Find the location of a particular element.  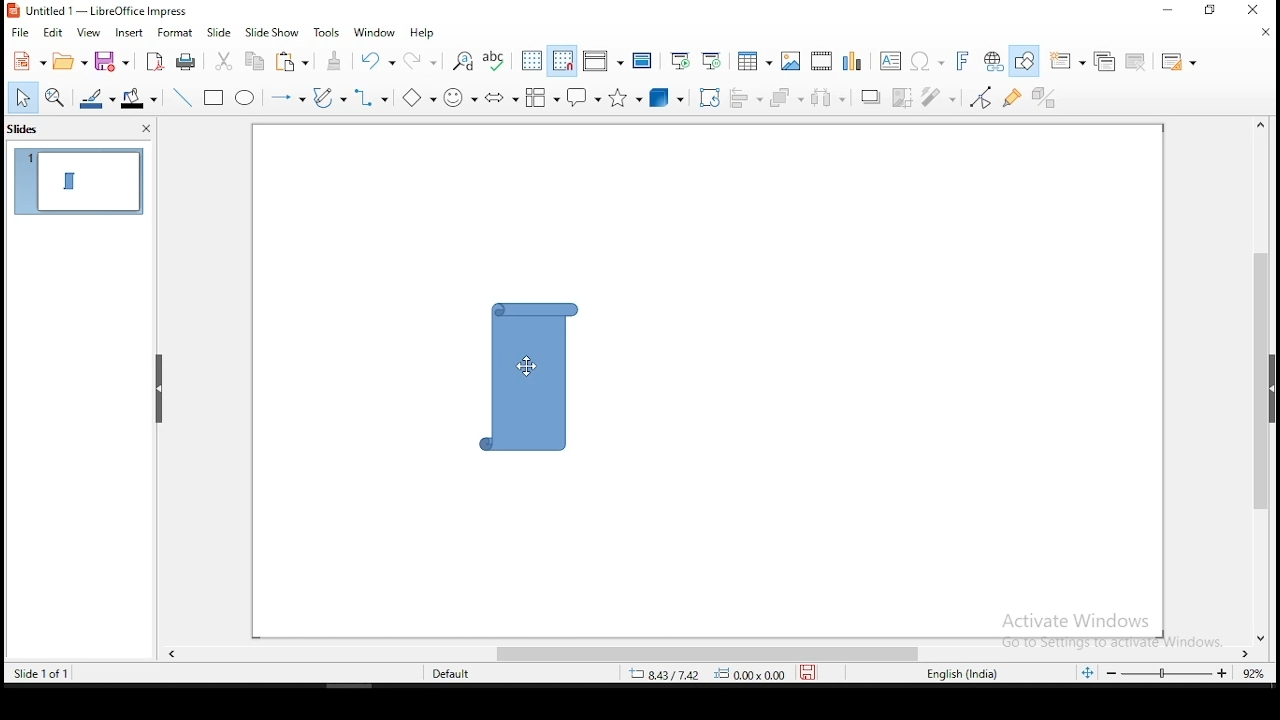

slide is located at coordinates (217, 33).